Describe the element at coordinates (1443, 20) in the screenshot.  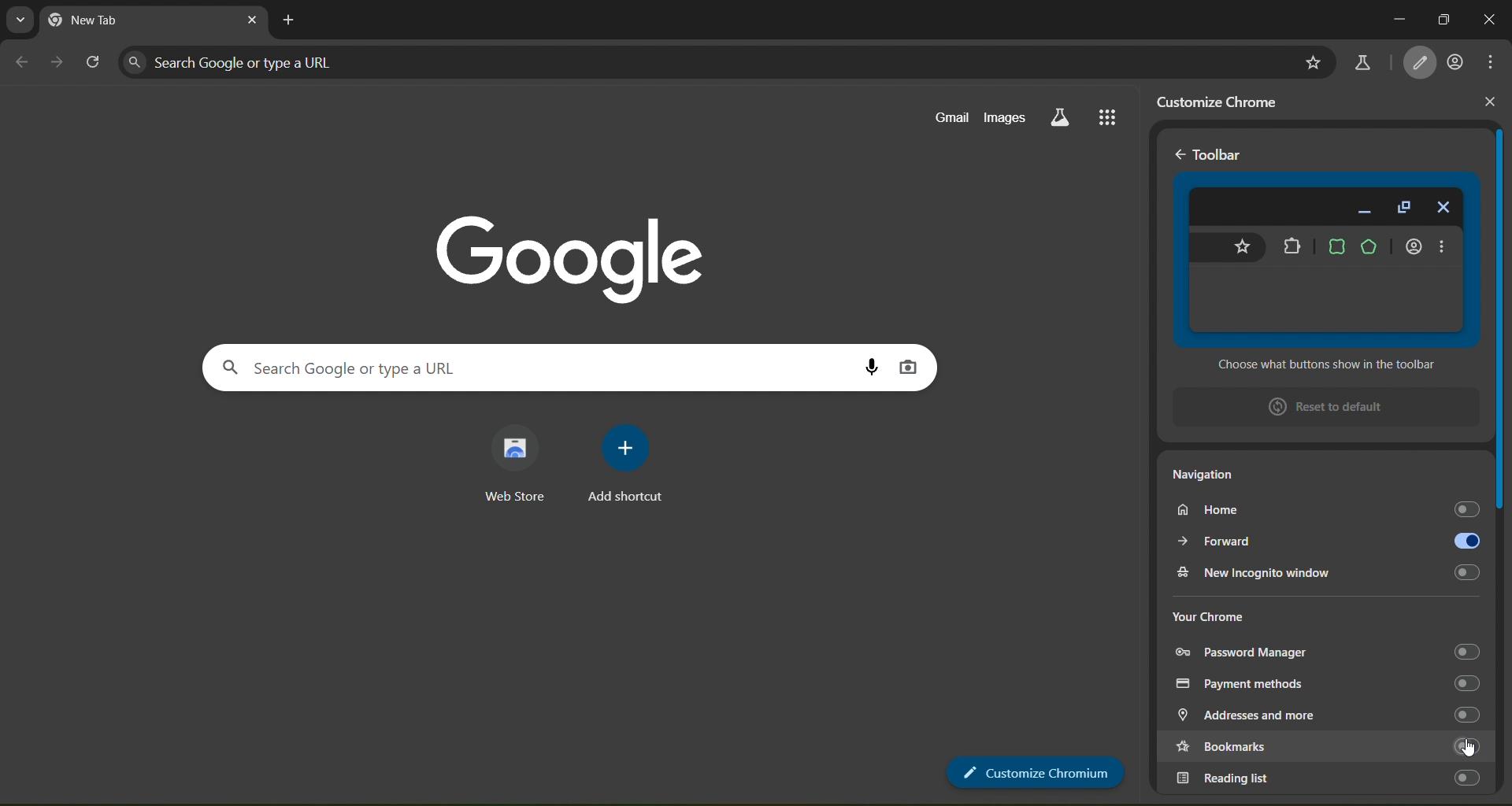
I see `maximize` at that location.